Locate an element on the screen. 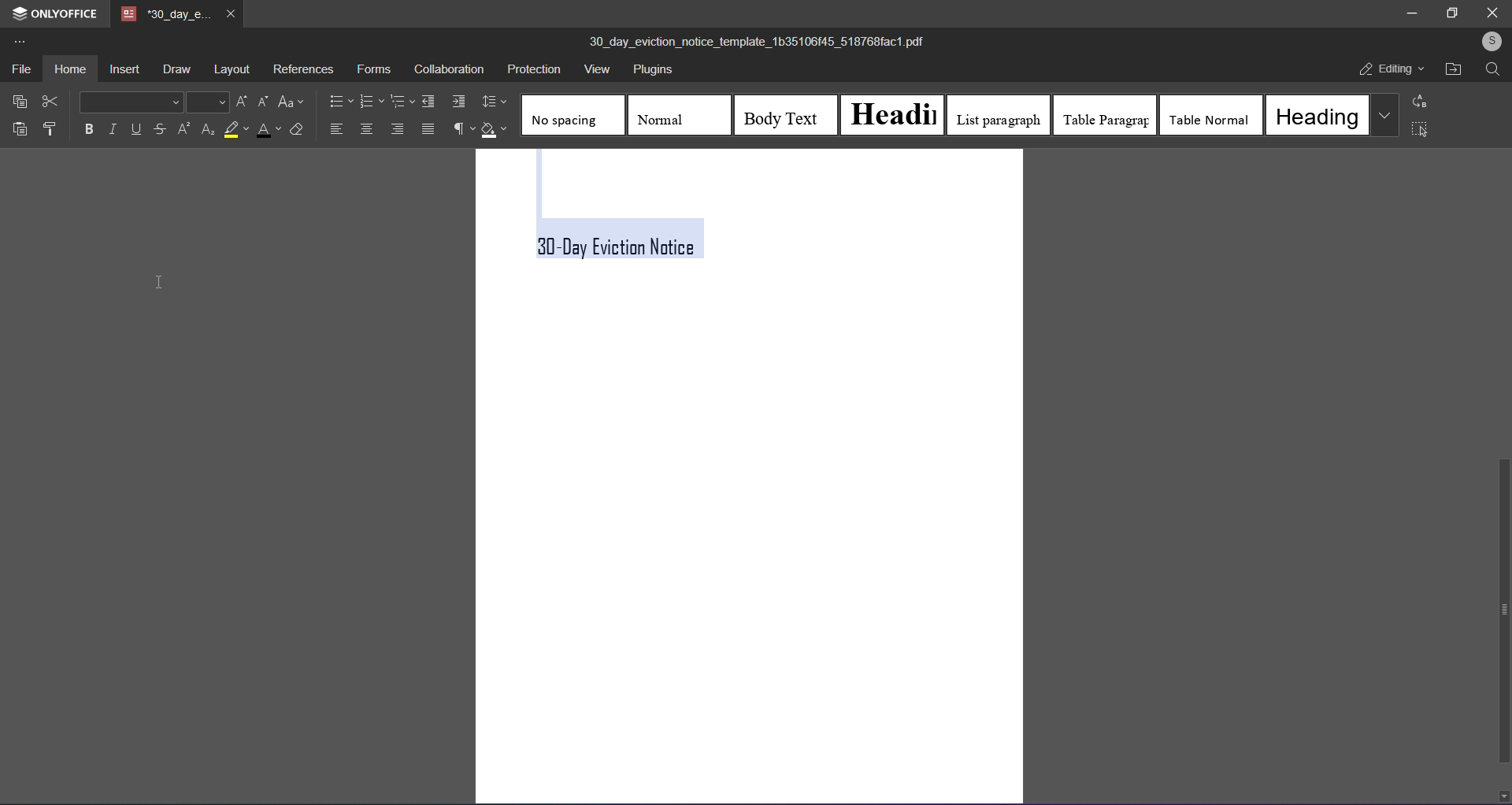 This screenshot has width=1512, height=805. layout is located at coordinates (230, 70).